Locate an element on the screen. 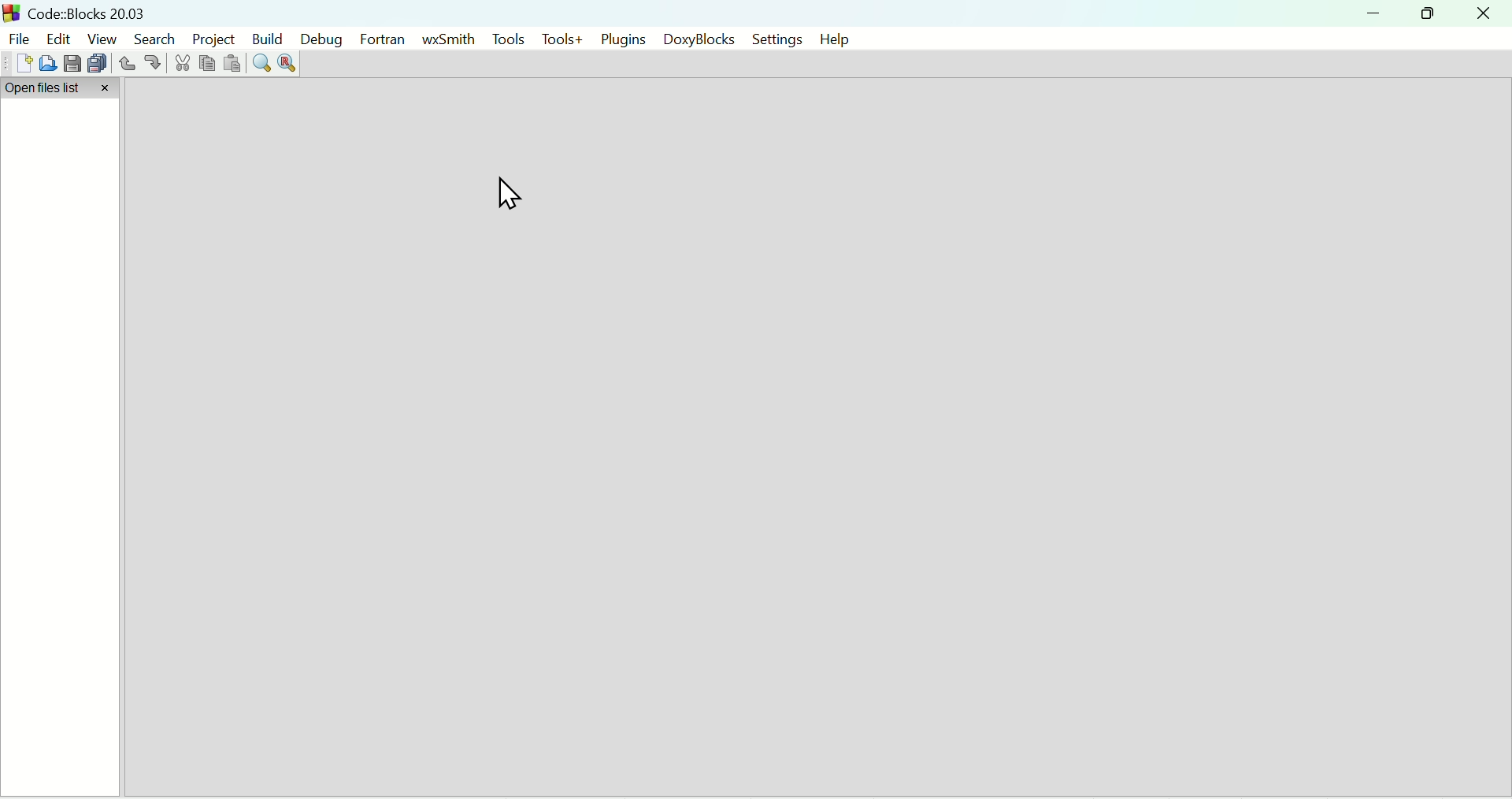 This screenshot has height=799, width=1512. Save is located at coordinates (72, 63).